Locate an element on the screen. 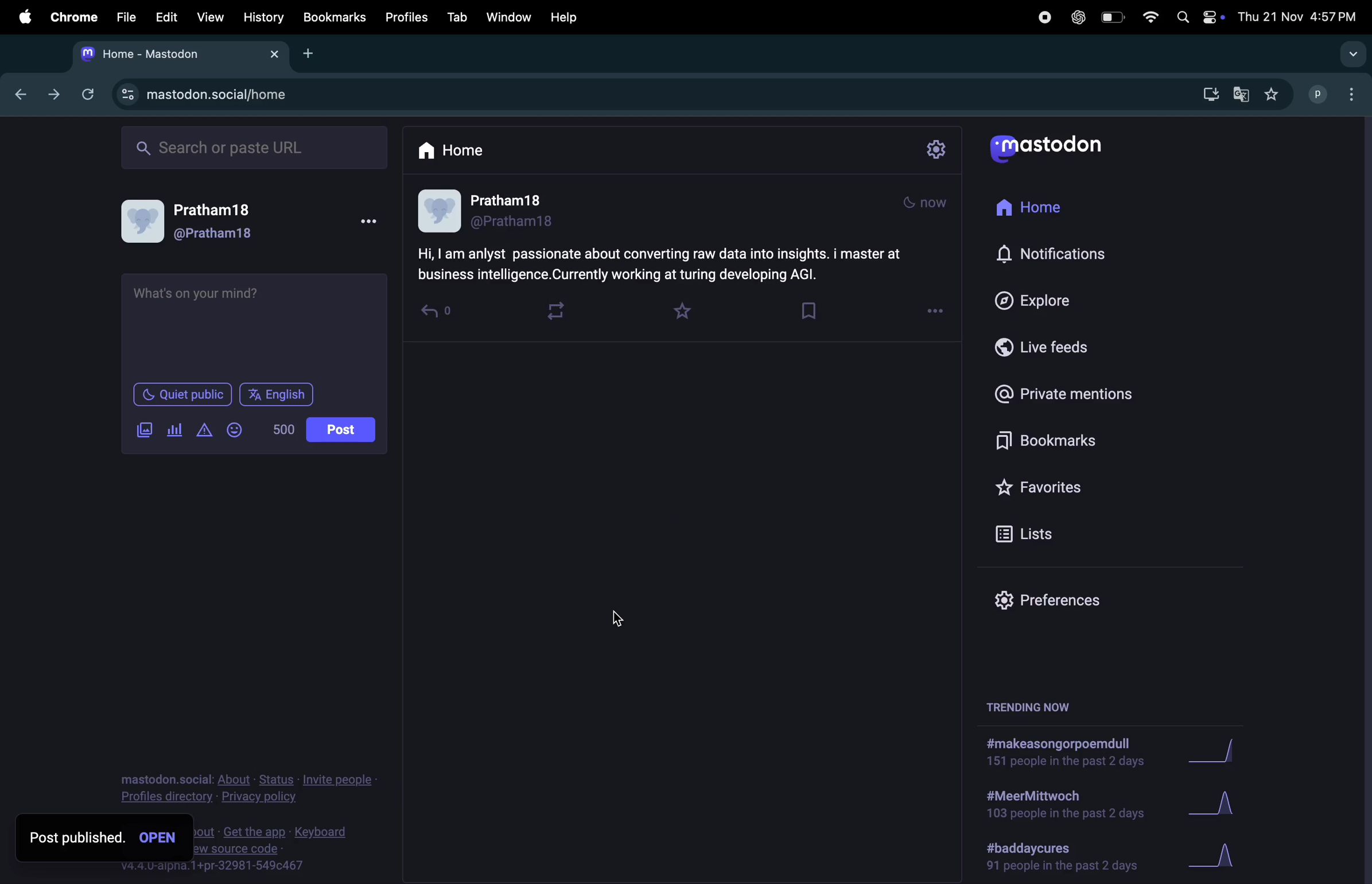  favourites is located at coordinates (1048, 490).